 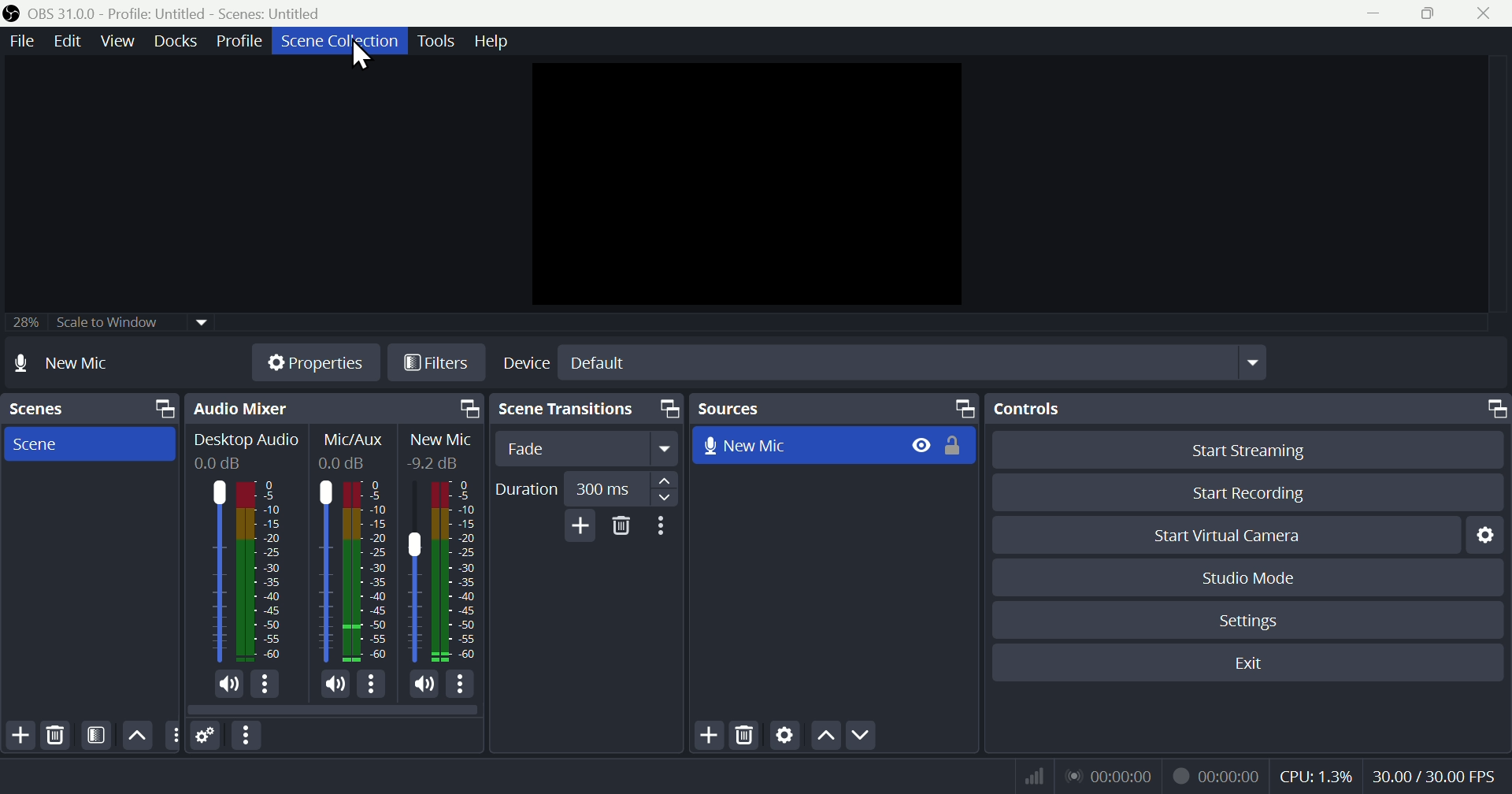 I want to click on Scenes, so click(x=89, y=410).